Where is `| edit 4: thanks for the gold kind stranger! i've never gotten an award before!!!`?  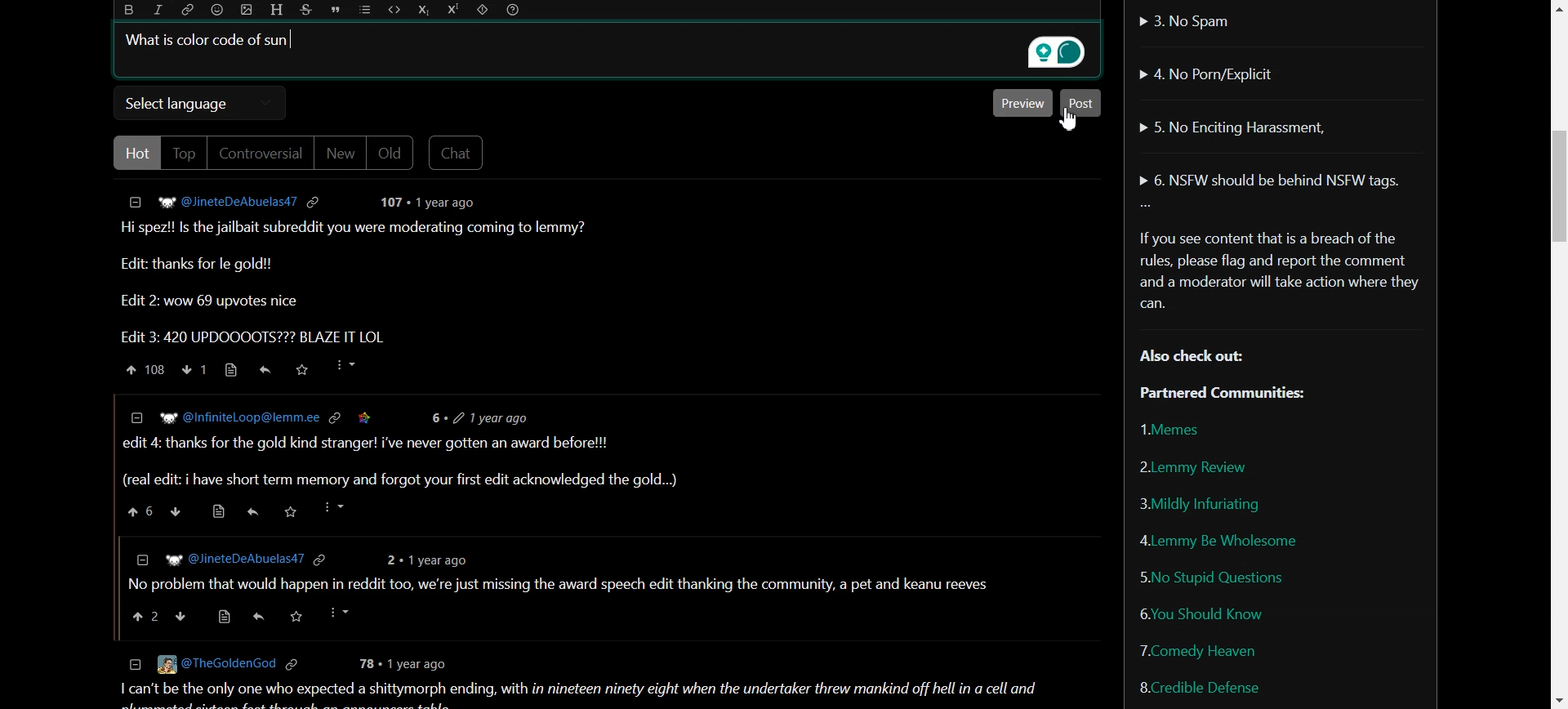
| edit 4: thanks for the gold kind stranger! i've never gotten an award before!!! is located at coordinates (367, 444).